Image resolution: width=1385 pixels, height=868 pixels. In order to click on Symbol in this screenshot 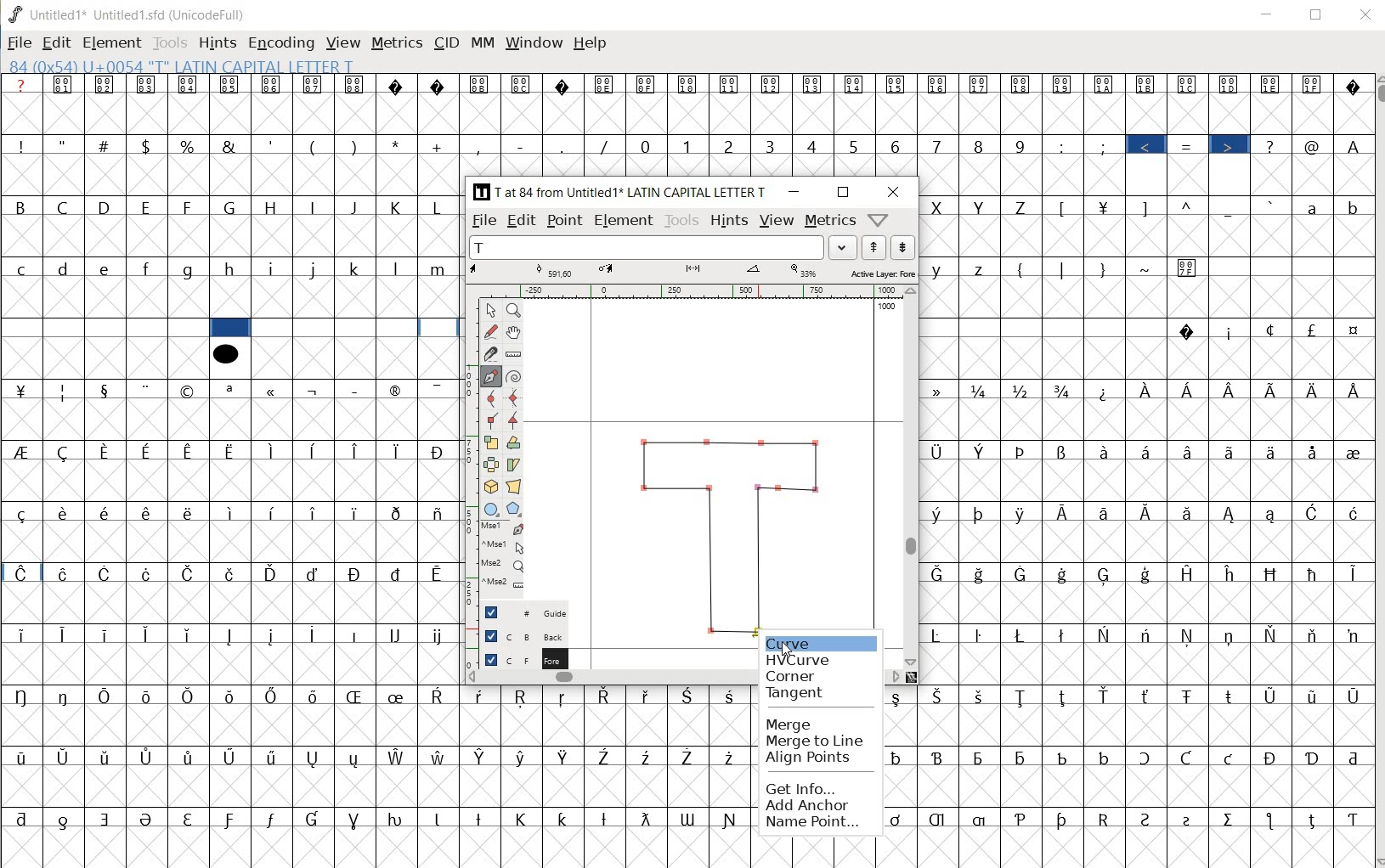, I will do `click(1149, 511)`.